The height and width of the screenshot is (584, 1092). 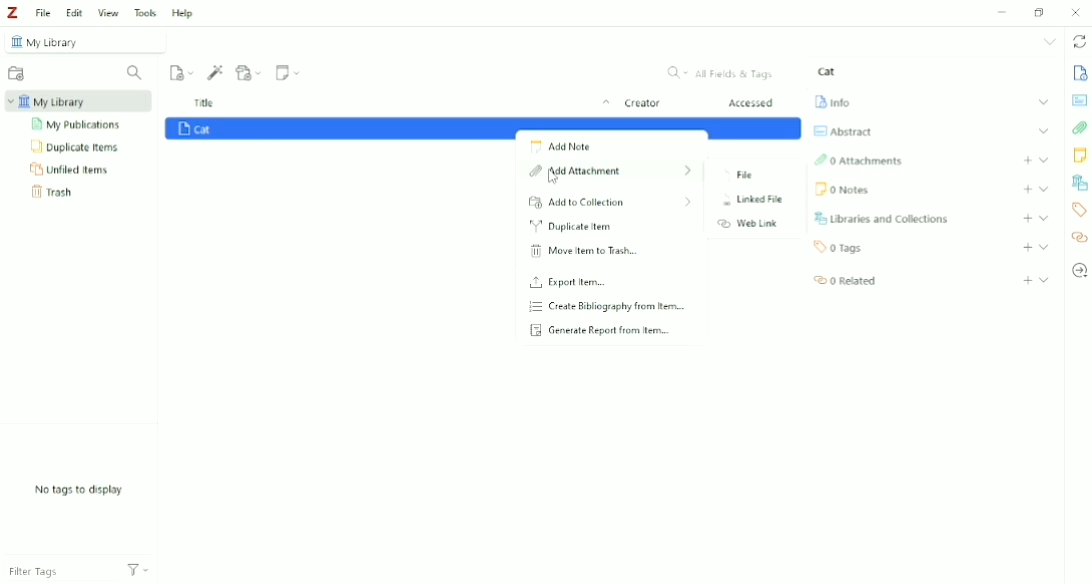 I want to click on Add, so click(x=1028, y=160).